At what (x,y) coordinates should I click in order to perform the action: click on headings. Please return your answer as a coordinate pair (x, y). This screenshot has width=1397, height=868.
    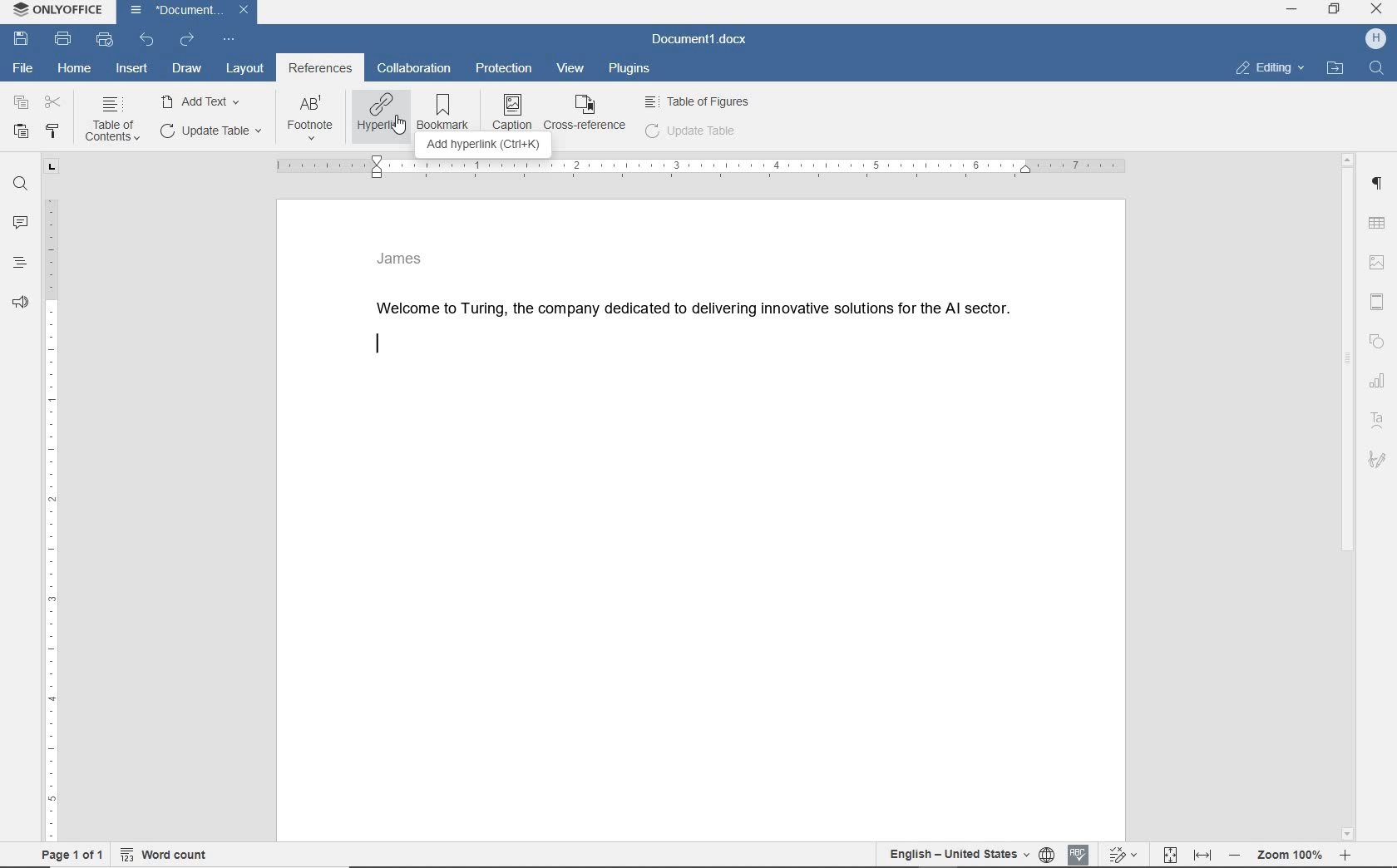
    Looking at the image, I should click on (19, 267).